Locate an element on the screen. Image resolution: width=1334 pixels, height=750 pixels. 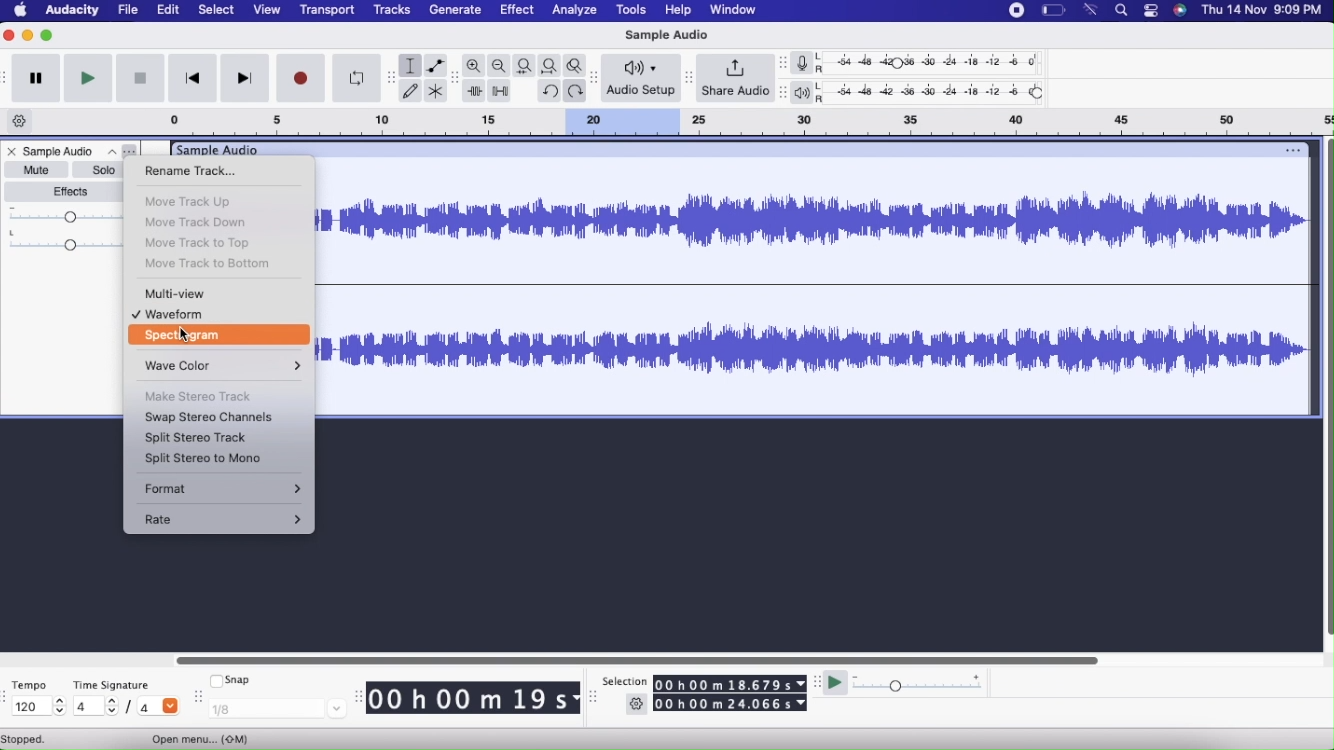
Rate is located at coordinates (223, 520).